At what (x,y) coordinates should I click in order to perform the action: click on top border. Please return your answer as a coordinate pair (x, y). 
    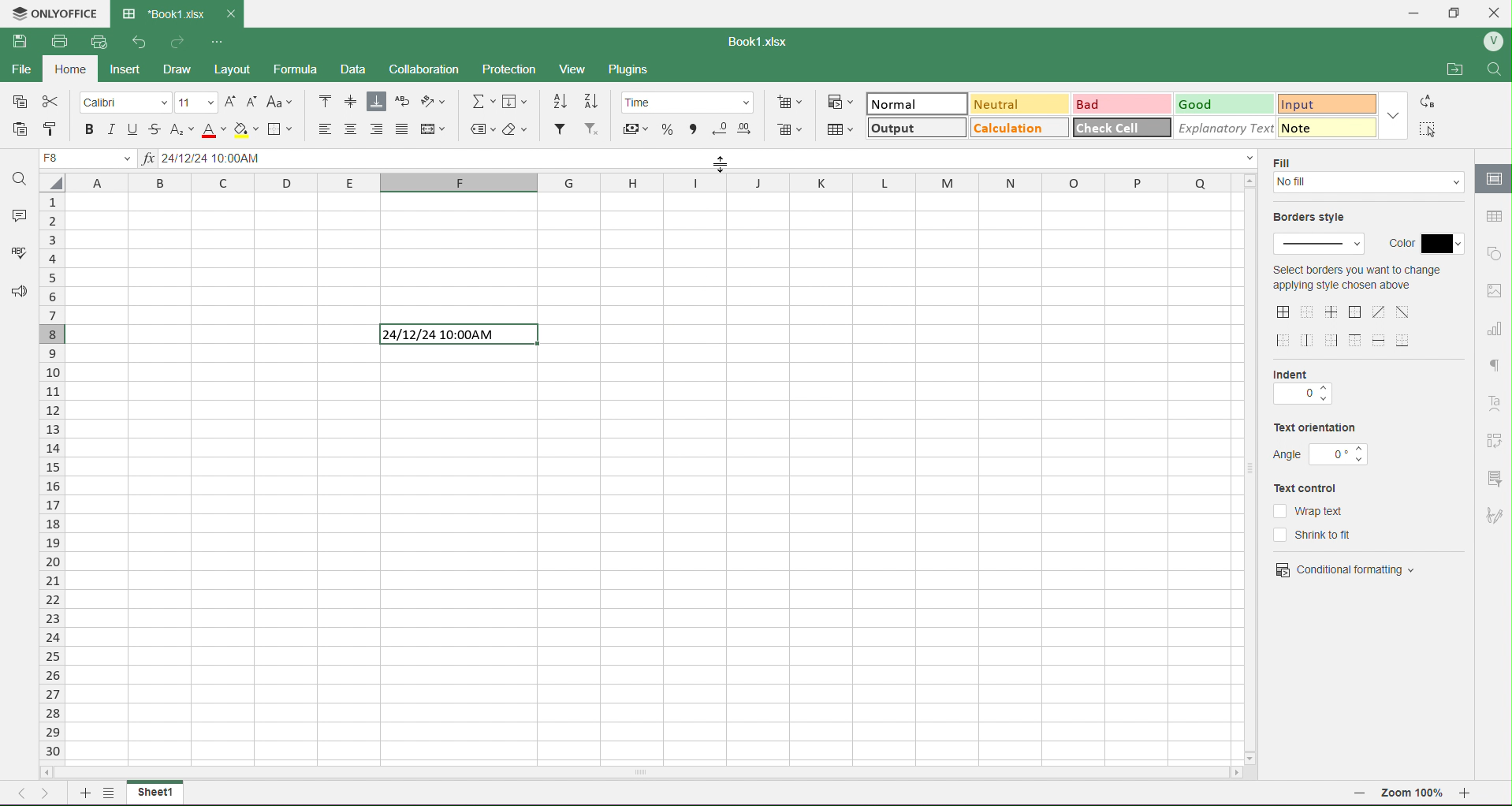
    Looking at the image, I should click on (1355, 340).